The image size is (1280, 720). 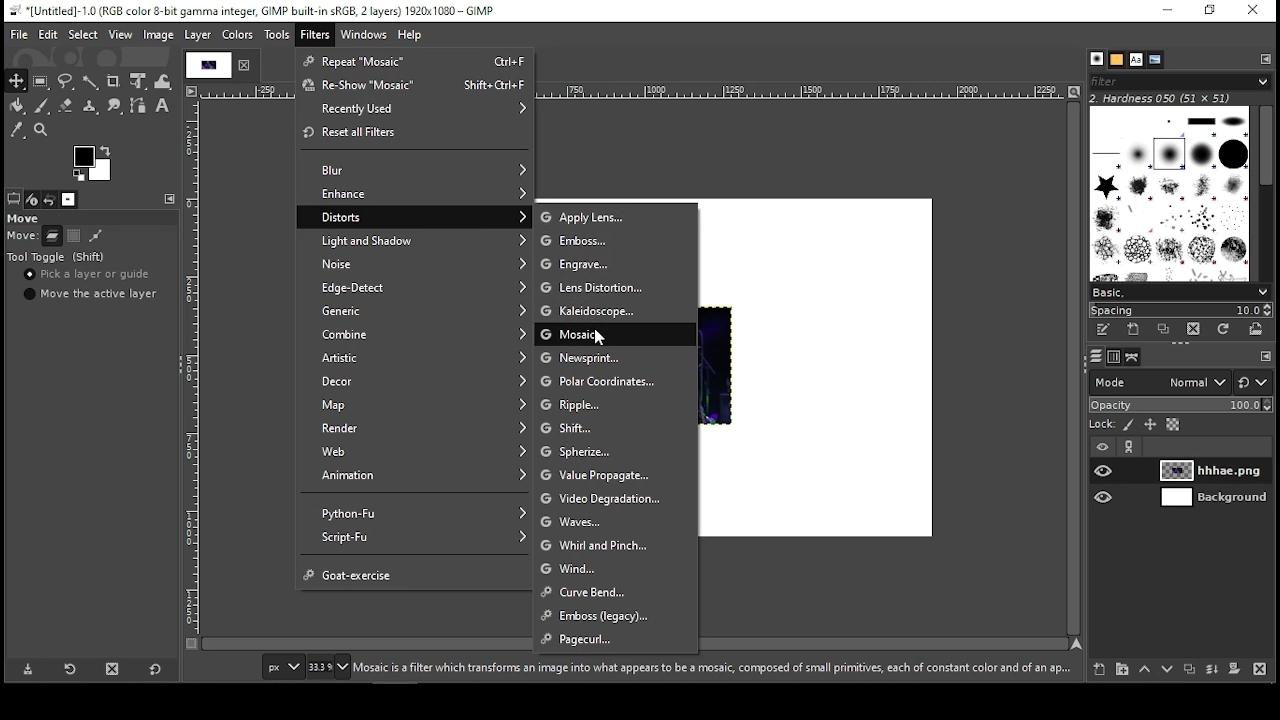 I want to click on image, so click(x=160, y=34).